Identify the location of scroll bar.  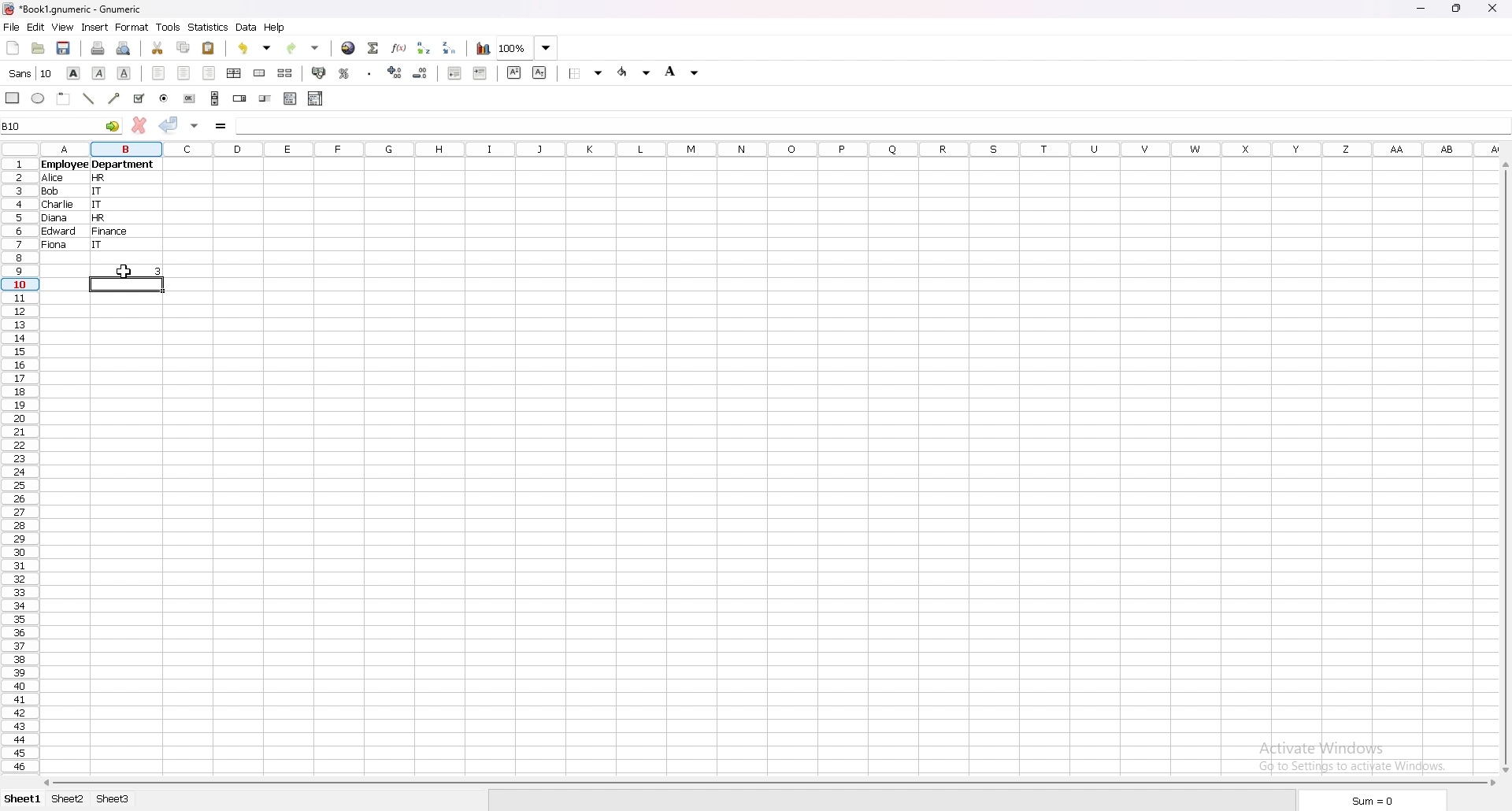
(1506, 466).